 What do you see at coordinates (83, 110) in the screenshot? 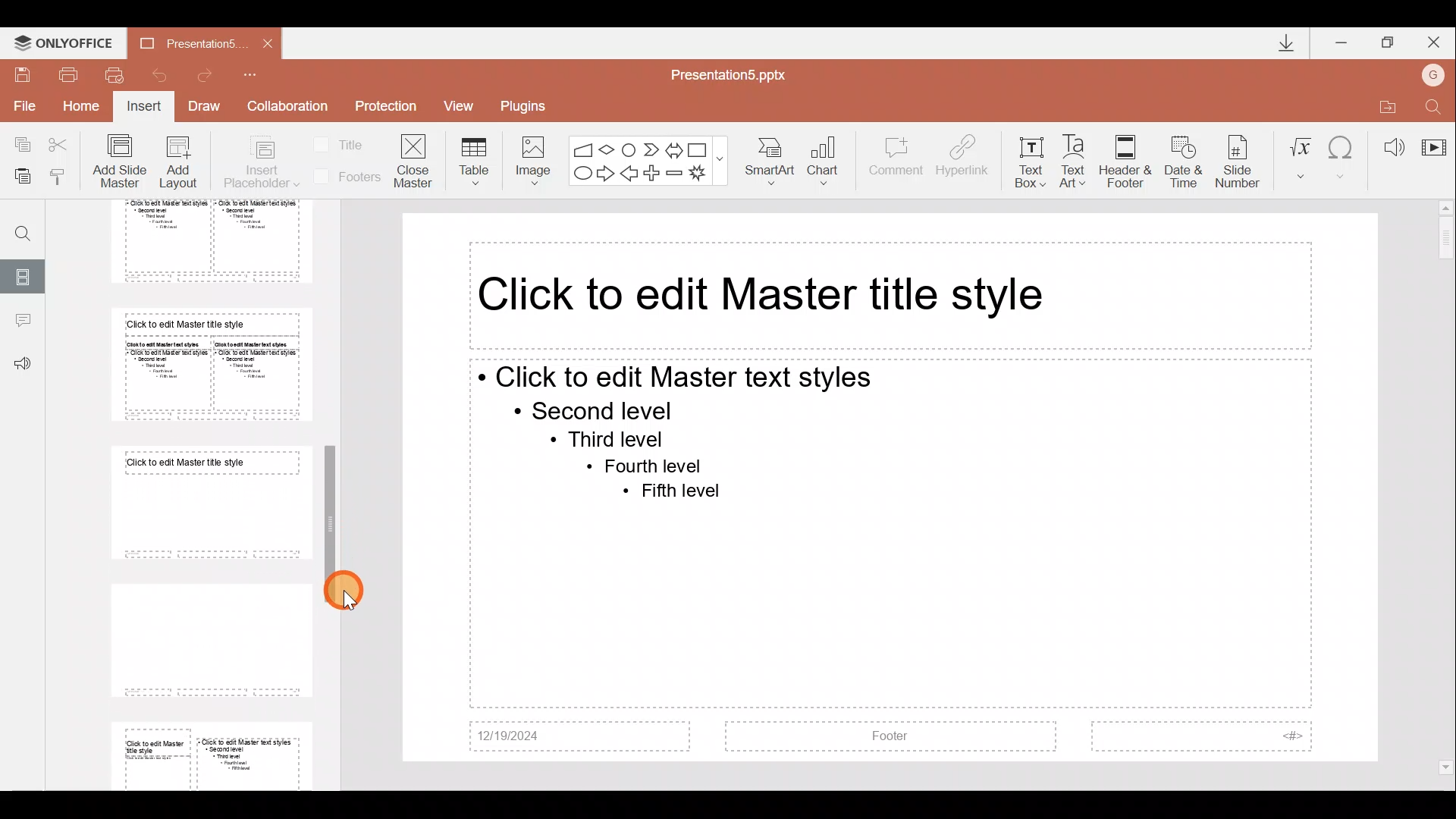
I see `Home` at bounding box center [83, 110].